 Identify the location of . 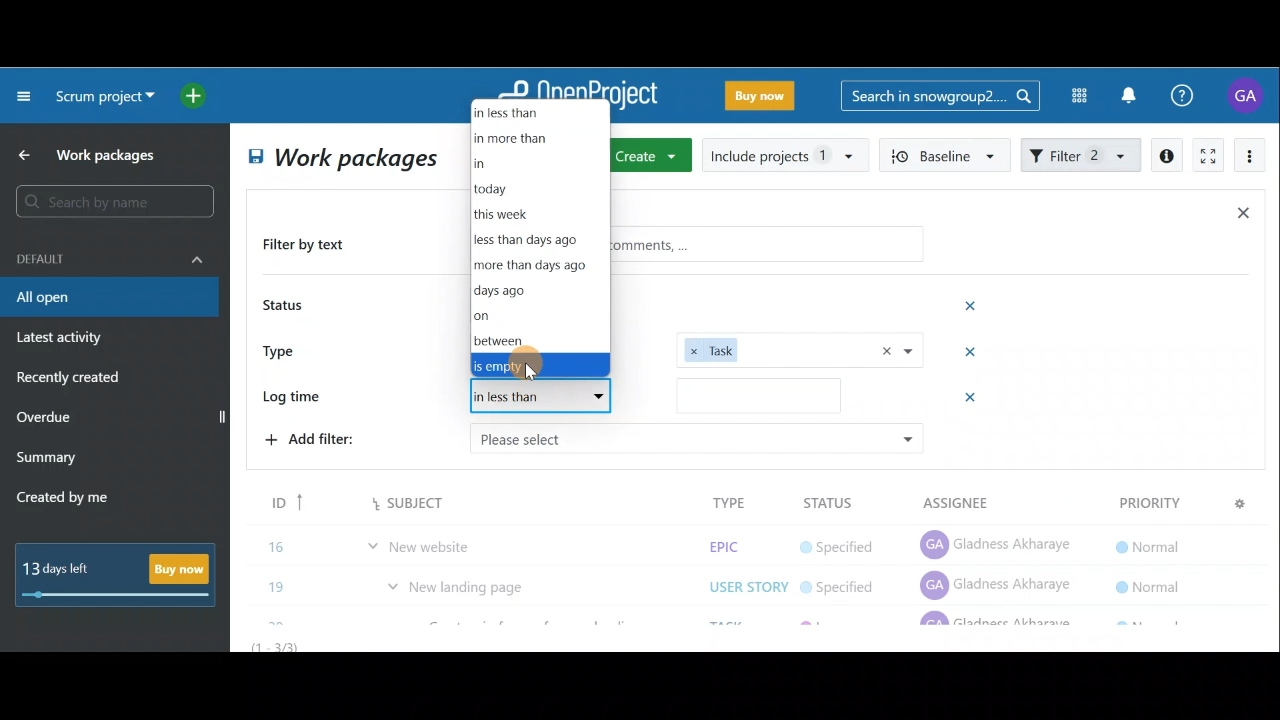
(695, 438).